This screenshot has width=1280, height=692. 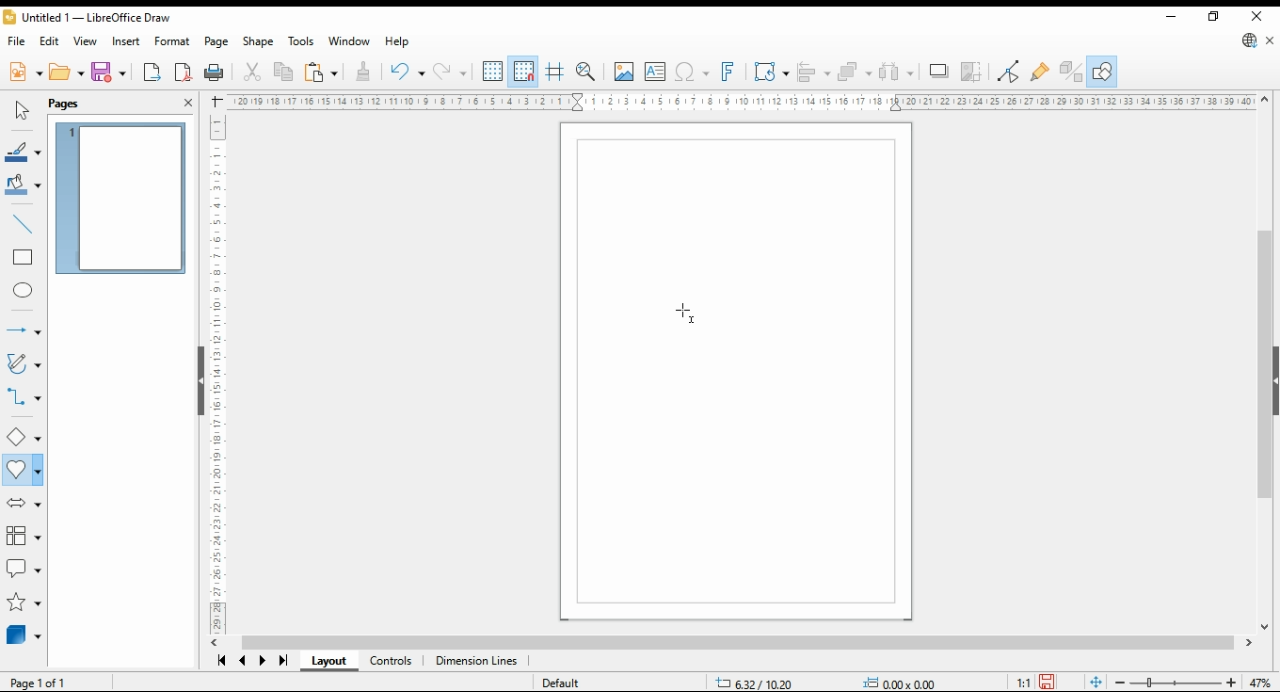 I want to click on arrange, so click(x=855, y=72).